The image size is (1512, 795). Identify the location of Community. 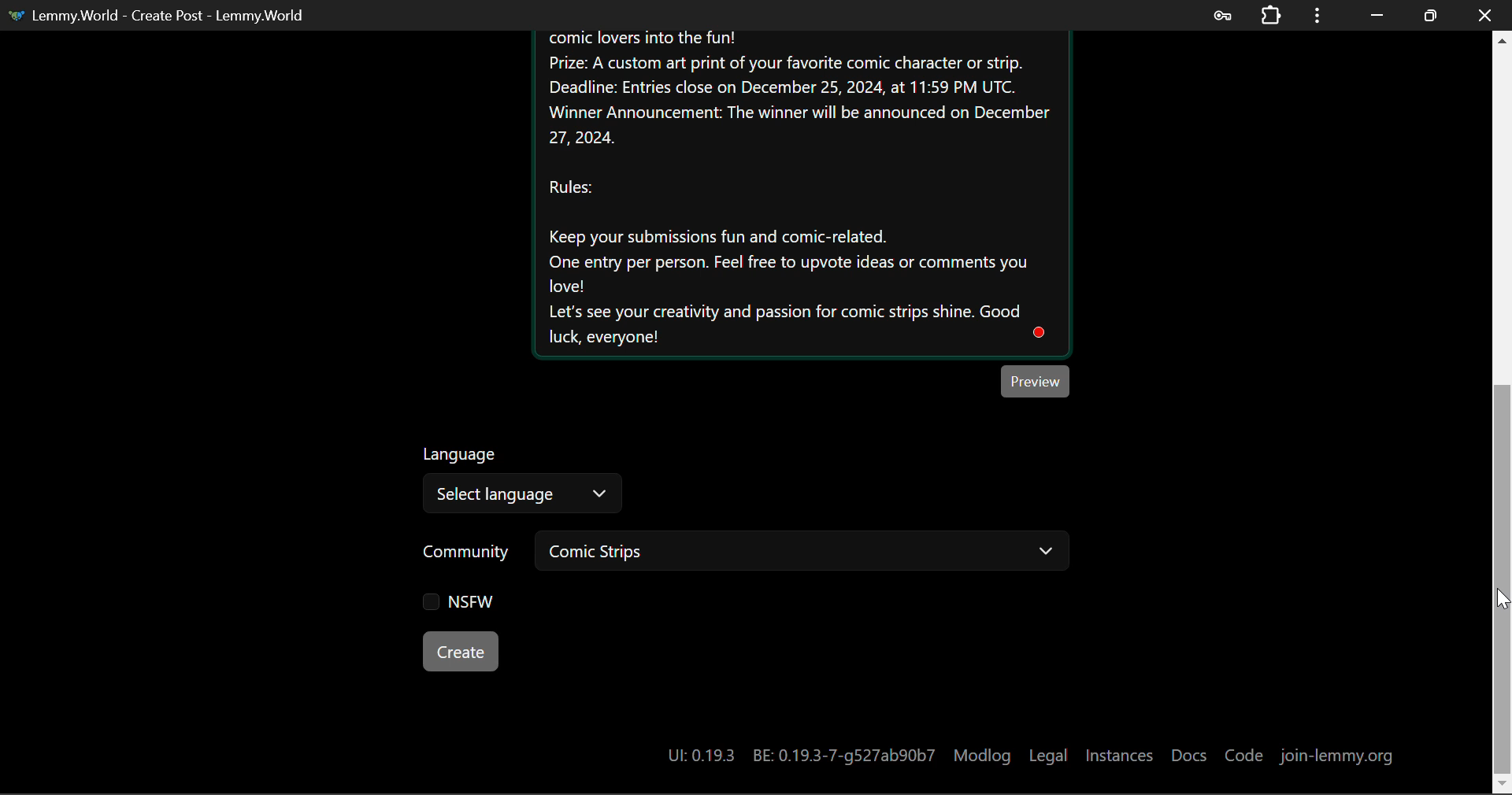
(467, 553).